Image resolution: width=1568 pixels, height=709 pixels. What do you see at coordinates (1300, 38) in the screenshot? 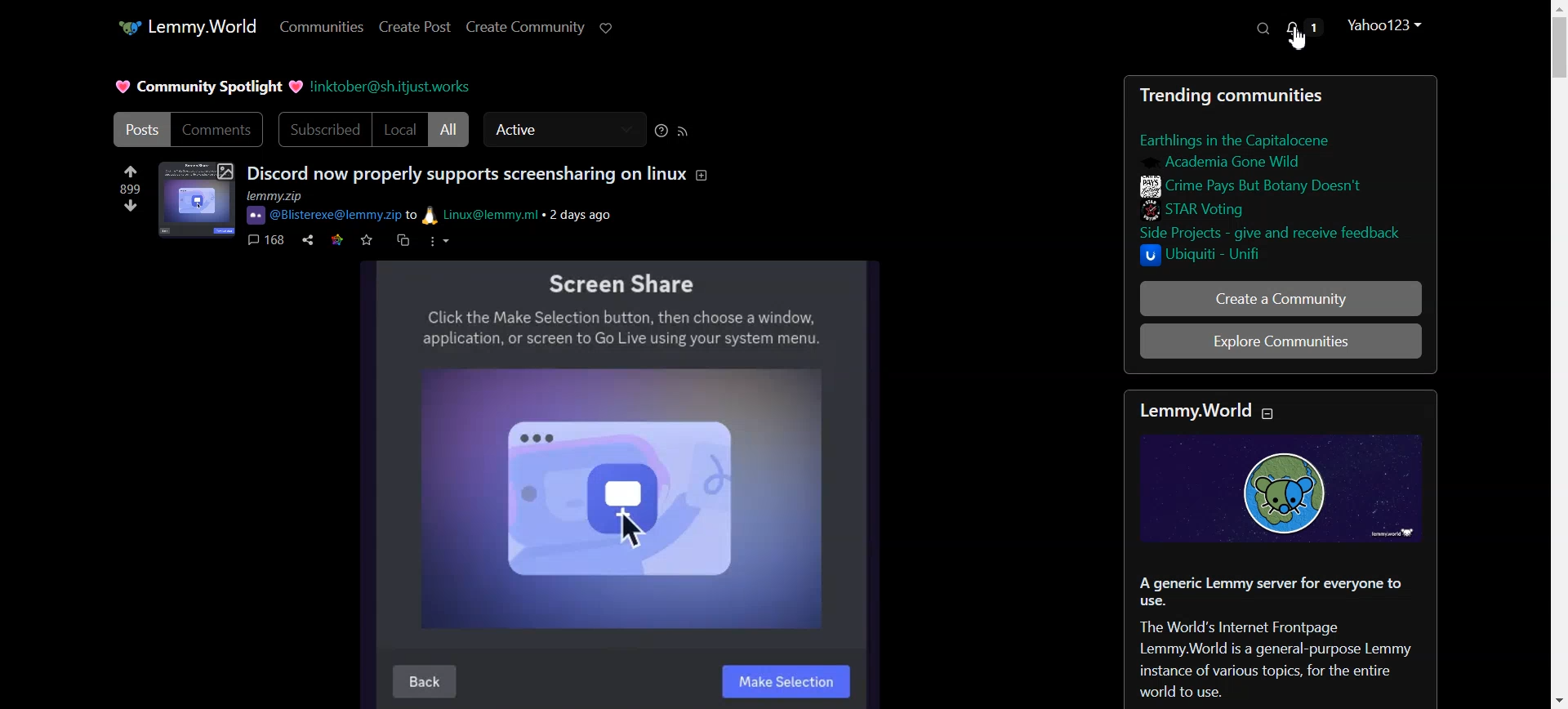
I see `Cursor` at bounding box center [1300, 38].